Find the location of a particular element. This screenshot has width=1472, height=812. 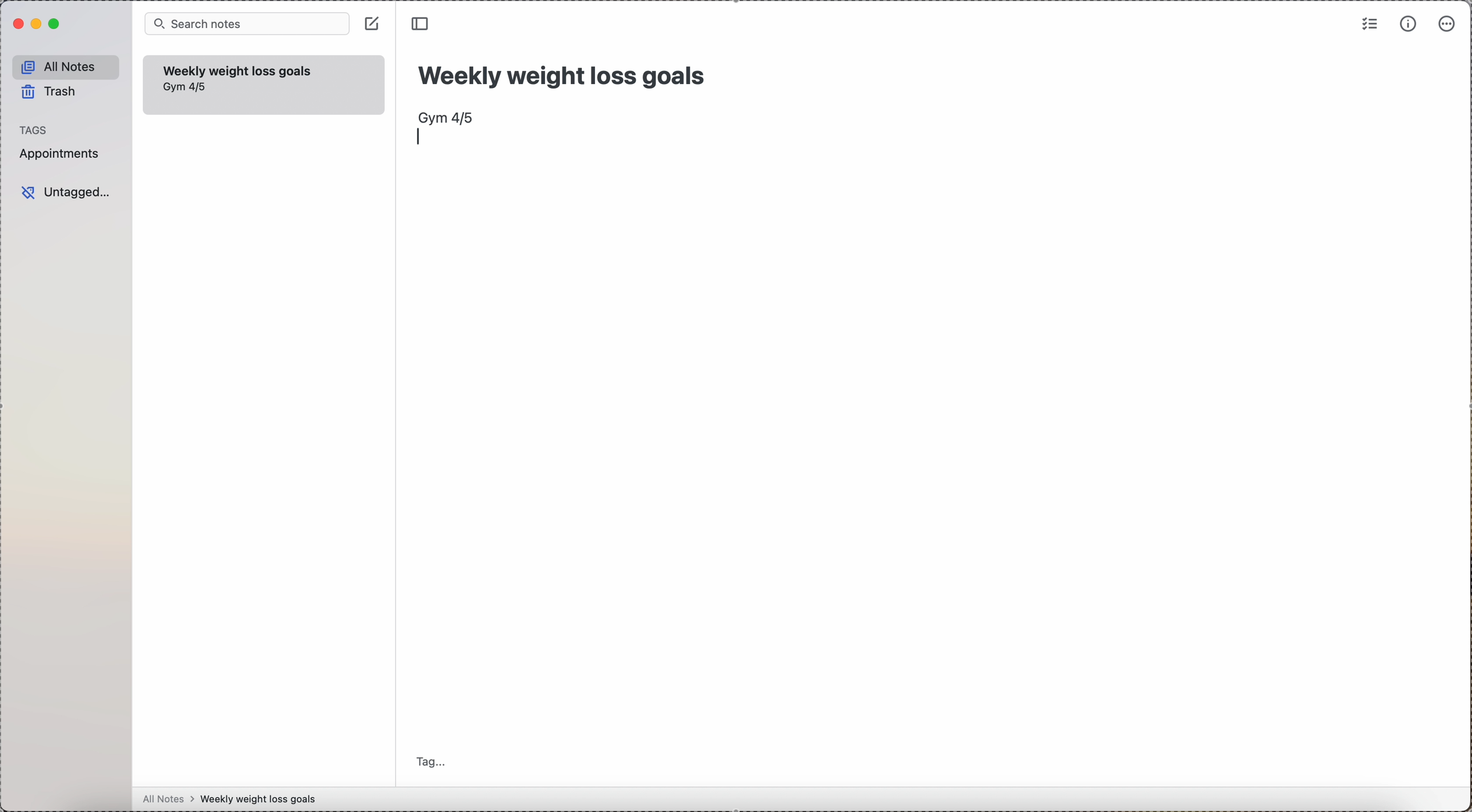

weekly weigth loss goals note is located at coordinates (238, 69).